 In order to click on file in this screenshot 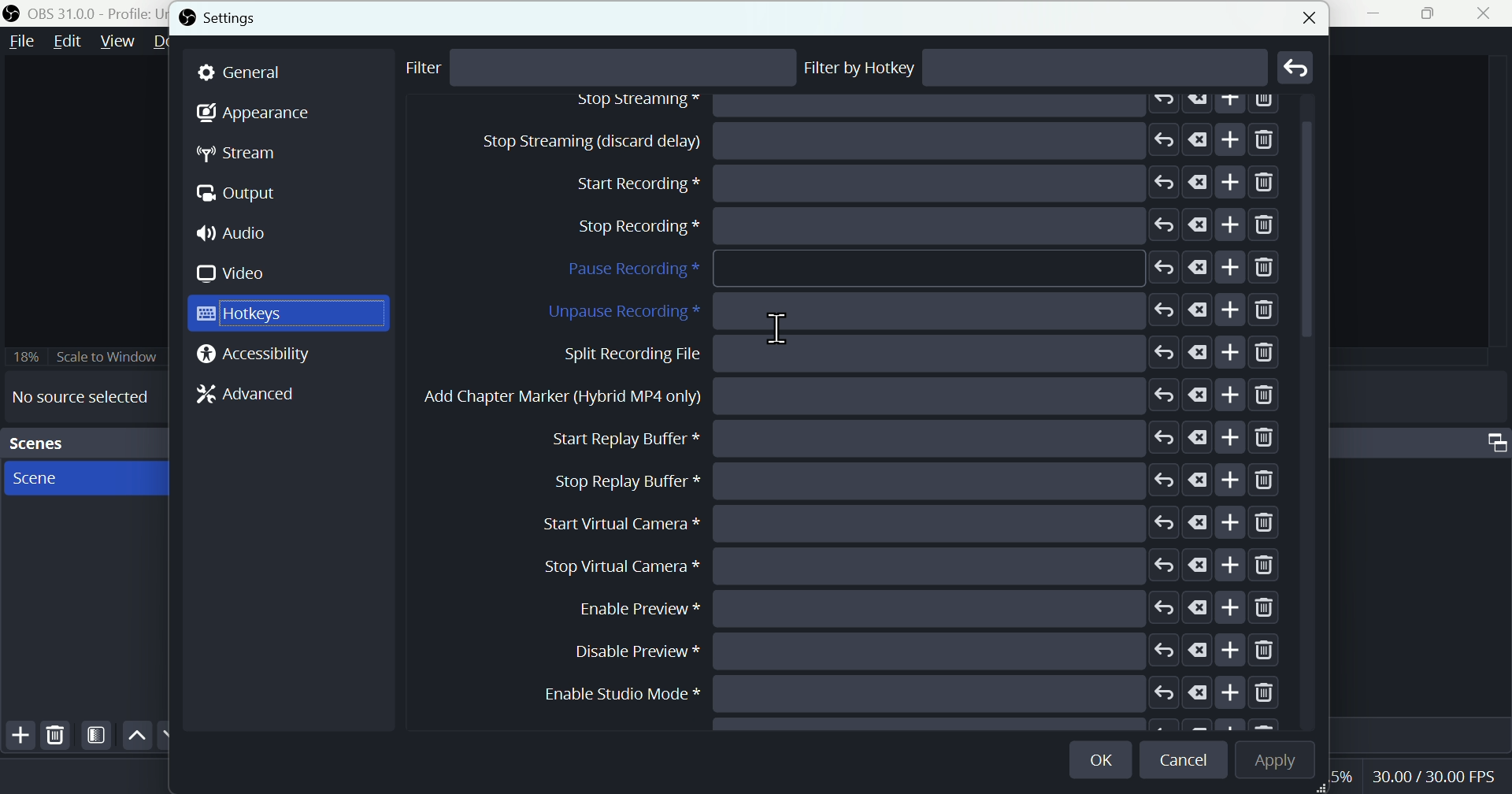, I will do `click(23, 42)`.